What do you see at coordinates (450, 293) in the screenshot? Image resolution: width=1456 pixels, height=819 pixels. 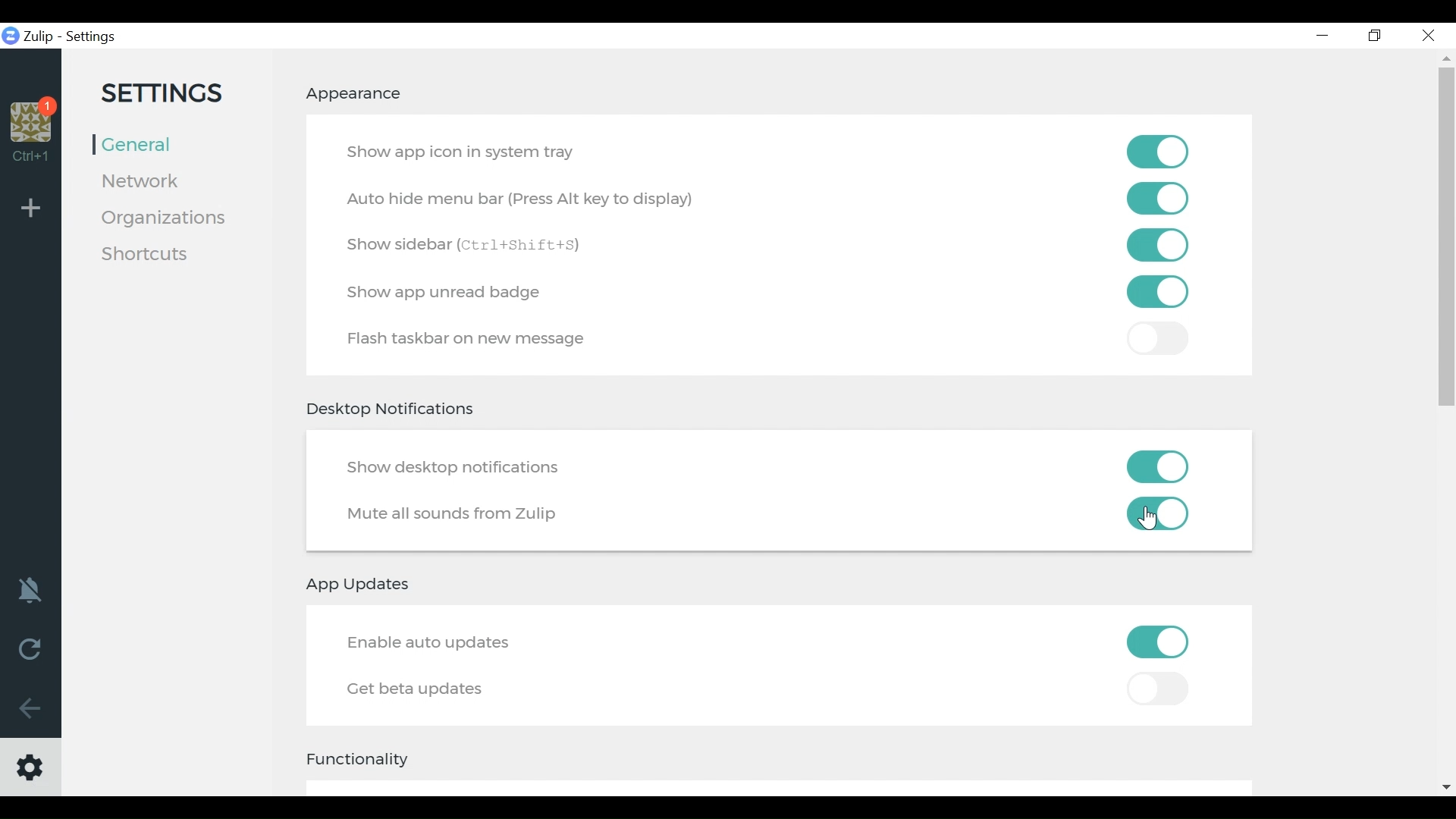 I see `Show app unread badge` at bounding box center [450, 293].